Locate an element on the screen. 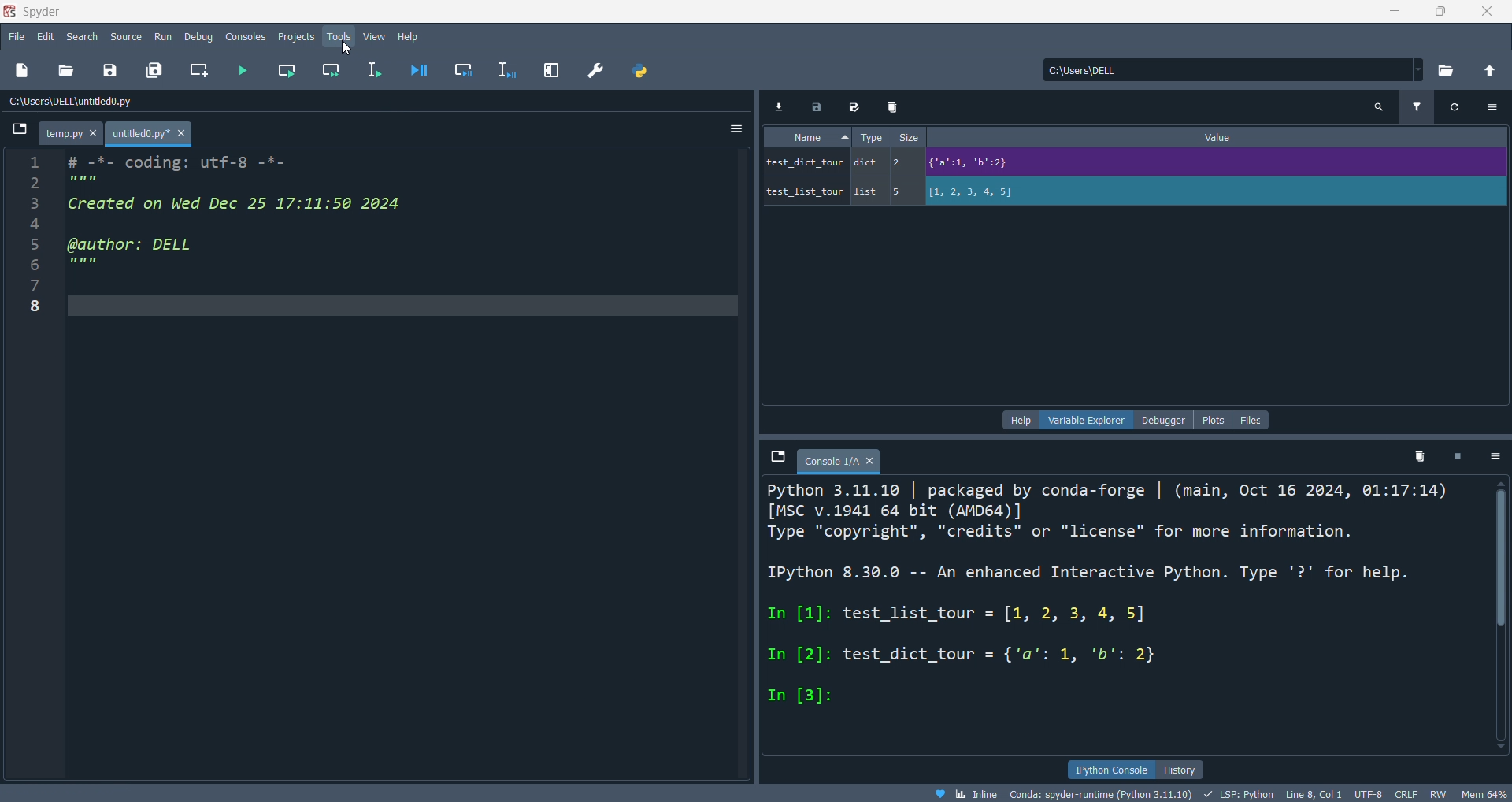  options is located at coordinates (732, 129).